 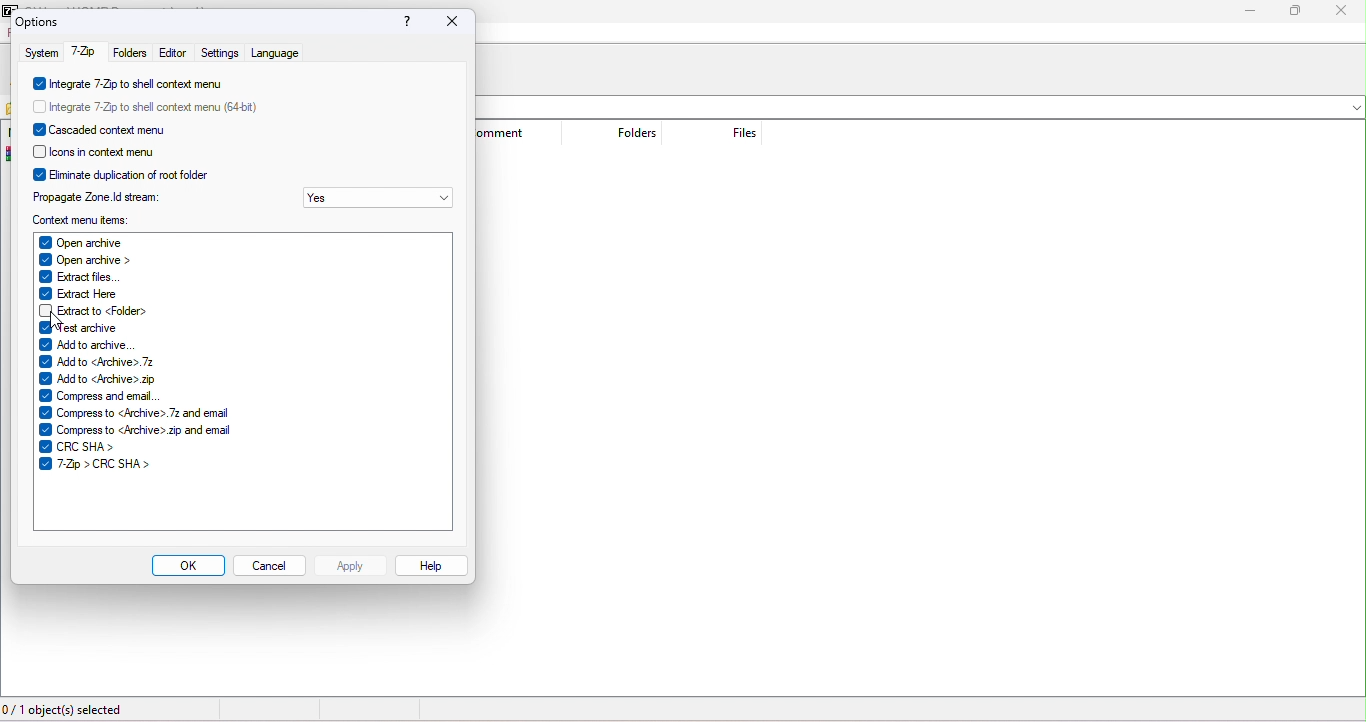 What do you see at coordinates (402, 24) in the screenshot?
I see `?` at bounding box center [402, 24].